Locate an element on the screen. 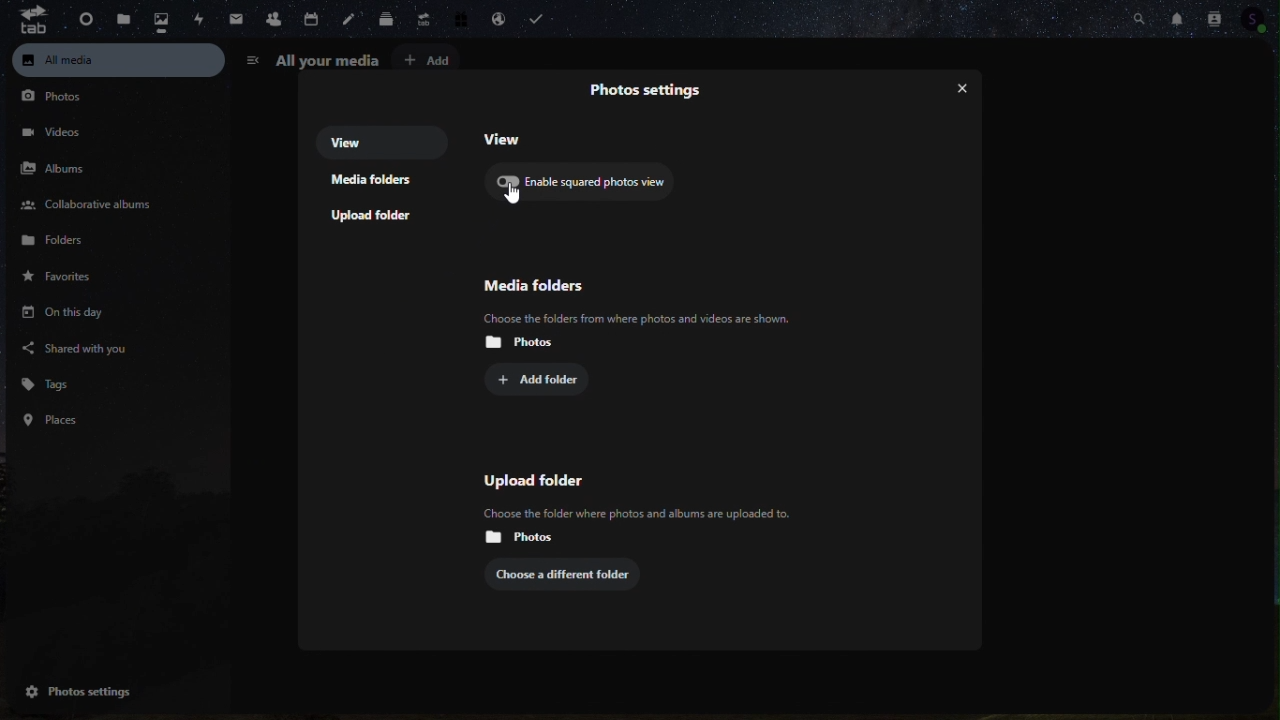 Image resolution: width=1280 pixels, height=720 pixels. Favourite is located at coordinates (72, 281).